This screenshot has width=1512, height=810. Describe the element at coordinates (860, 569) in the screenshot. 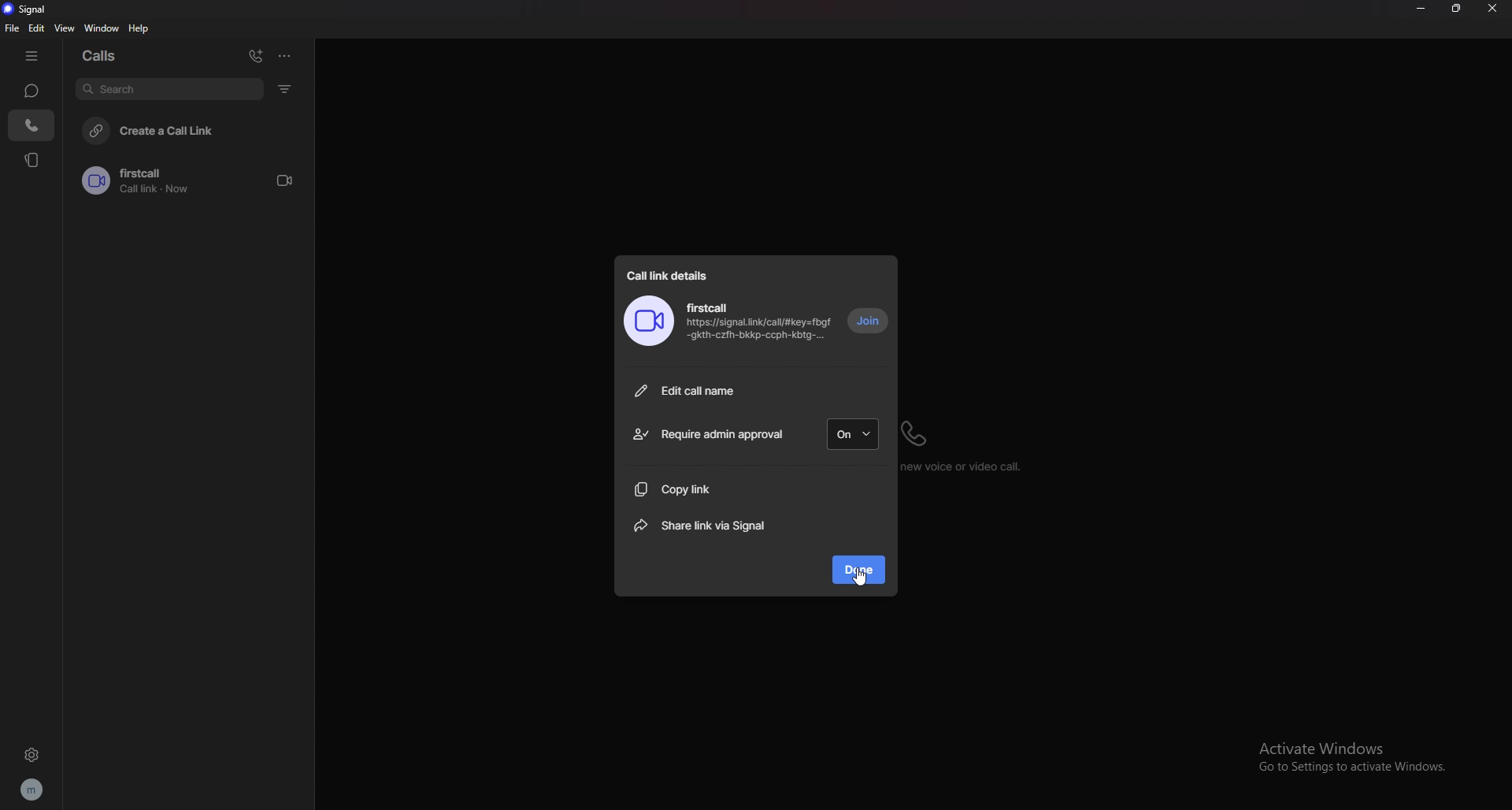

I see `done` at that location.